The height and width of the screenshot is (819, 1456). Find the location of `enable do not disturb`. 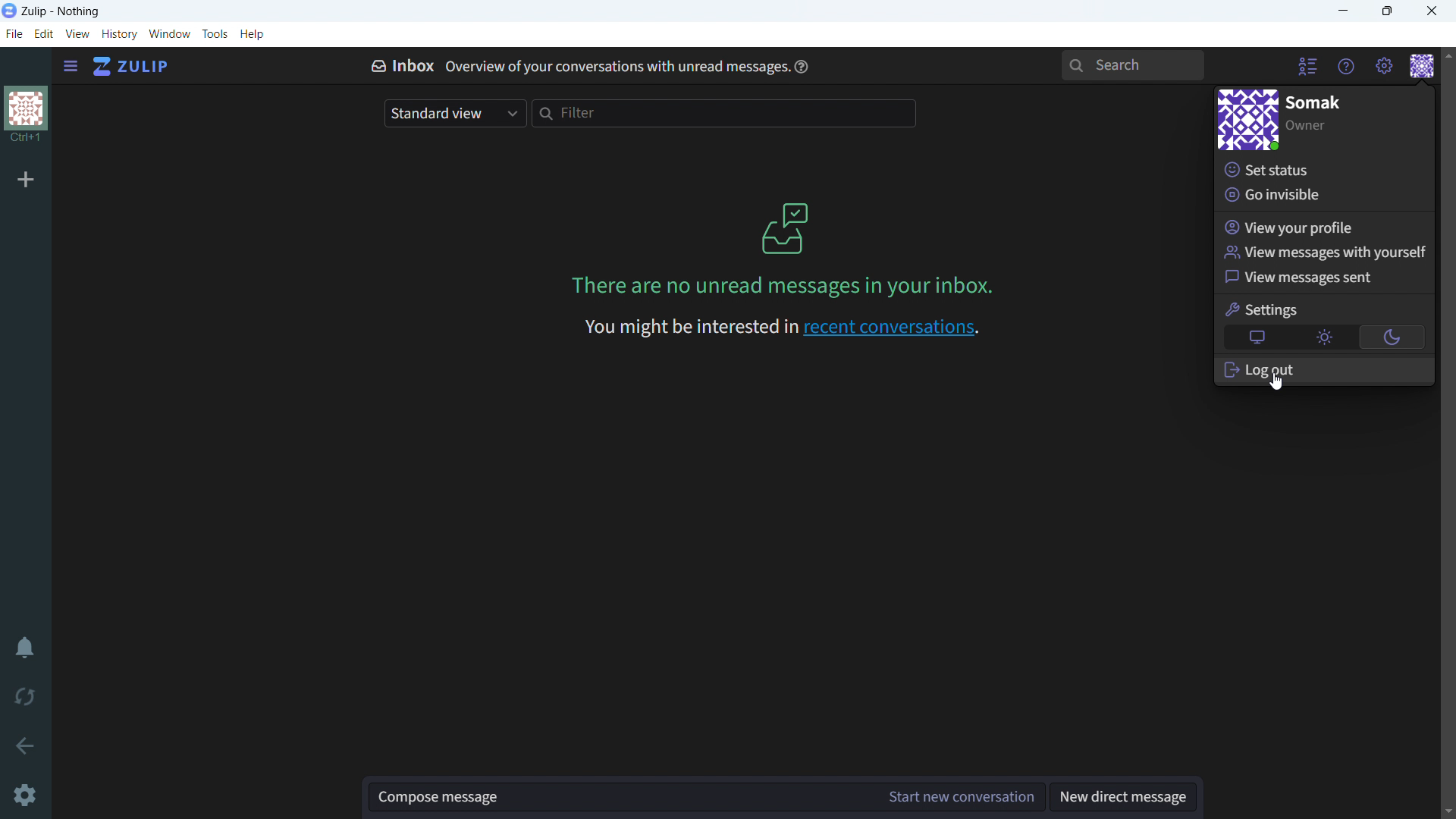

enable do not disturb is located at coordinates (25, 648).